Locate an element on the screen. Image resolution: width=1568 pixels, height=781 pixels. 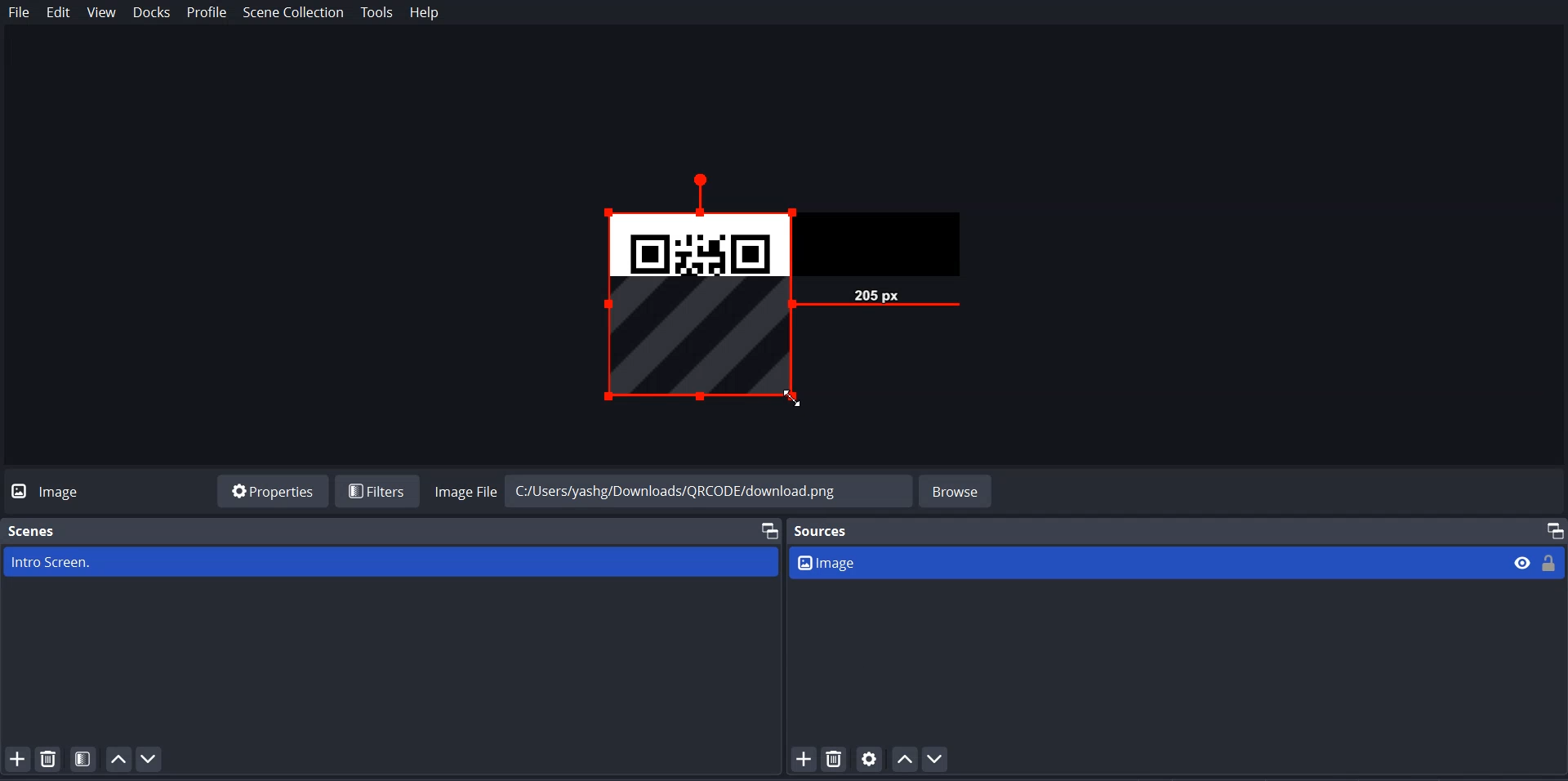
Filters is located at coordinates (376, 490).